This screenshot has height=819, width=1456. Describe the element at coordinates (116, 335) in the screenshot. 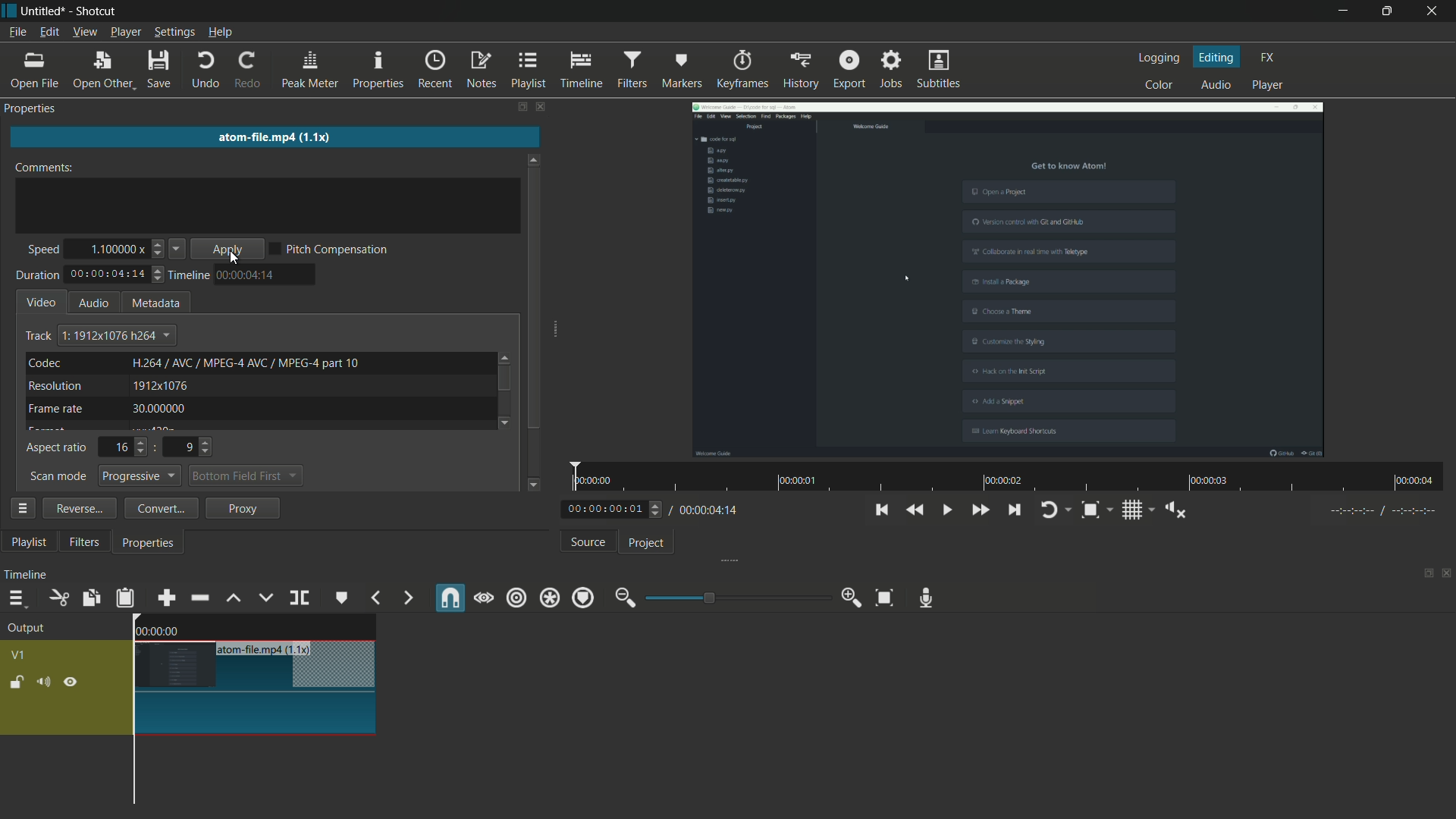

I see `track dropdown` at that location.